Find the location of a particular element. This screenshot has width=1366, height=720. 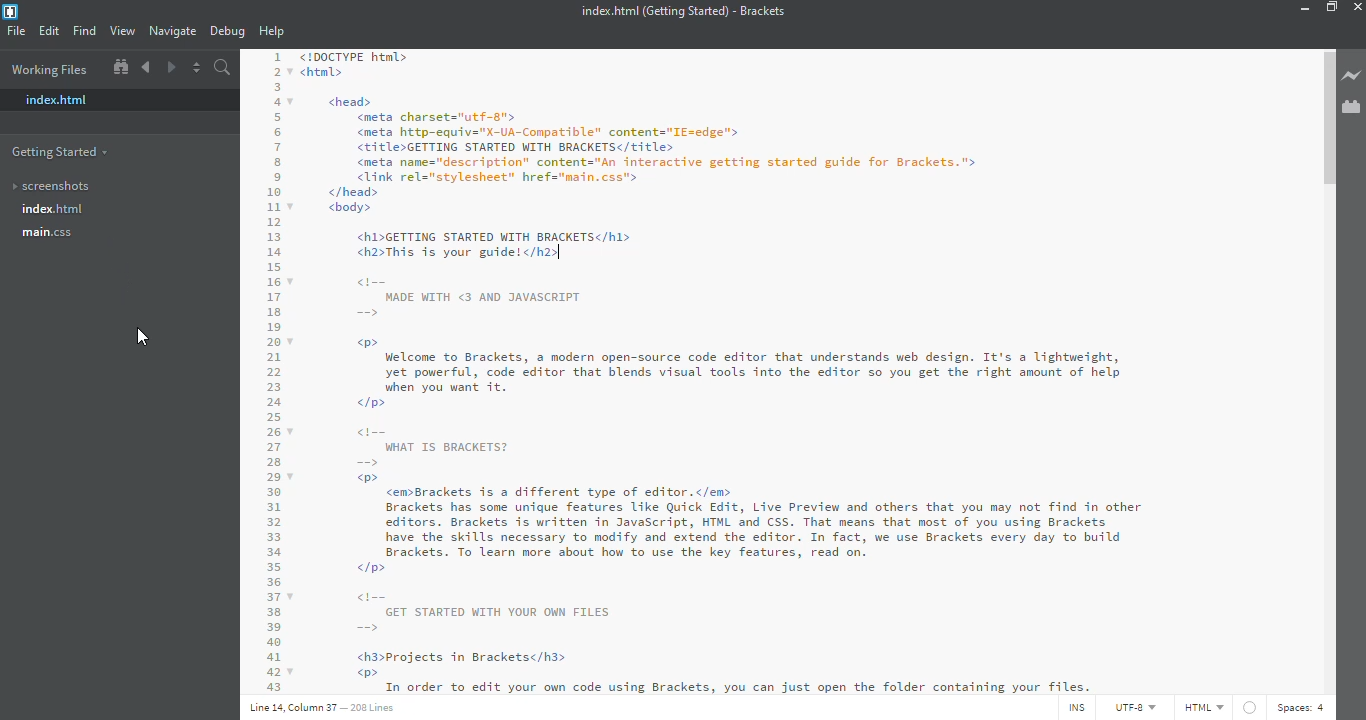

spaces 4 is located at coordinates (1301, 705).